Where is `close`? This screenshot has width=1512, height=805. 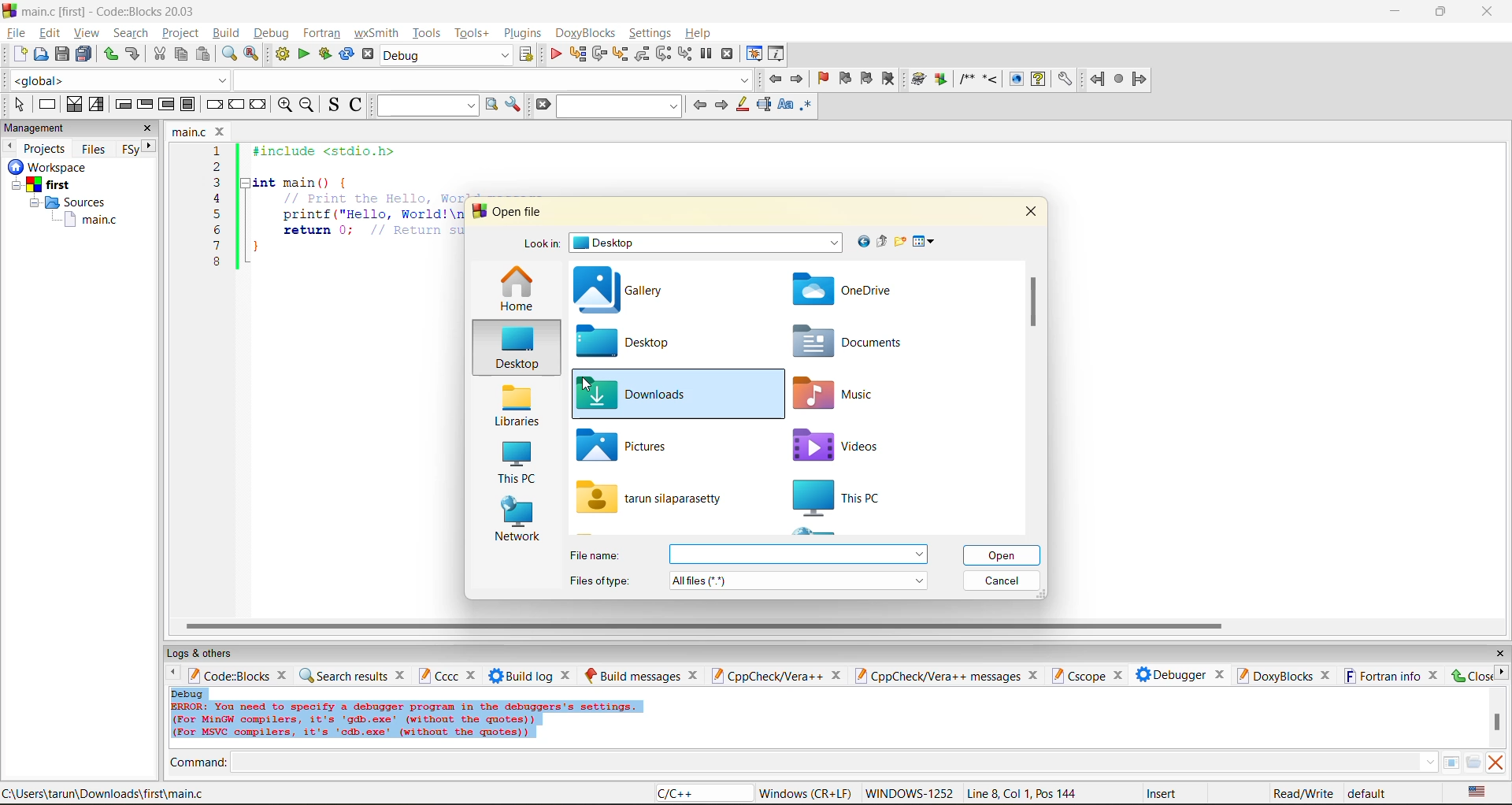
close is located at coordinates (1220, 673).